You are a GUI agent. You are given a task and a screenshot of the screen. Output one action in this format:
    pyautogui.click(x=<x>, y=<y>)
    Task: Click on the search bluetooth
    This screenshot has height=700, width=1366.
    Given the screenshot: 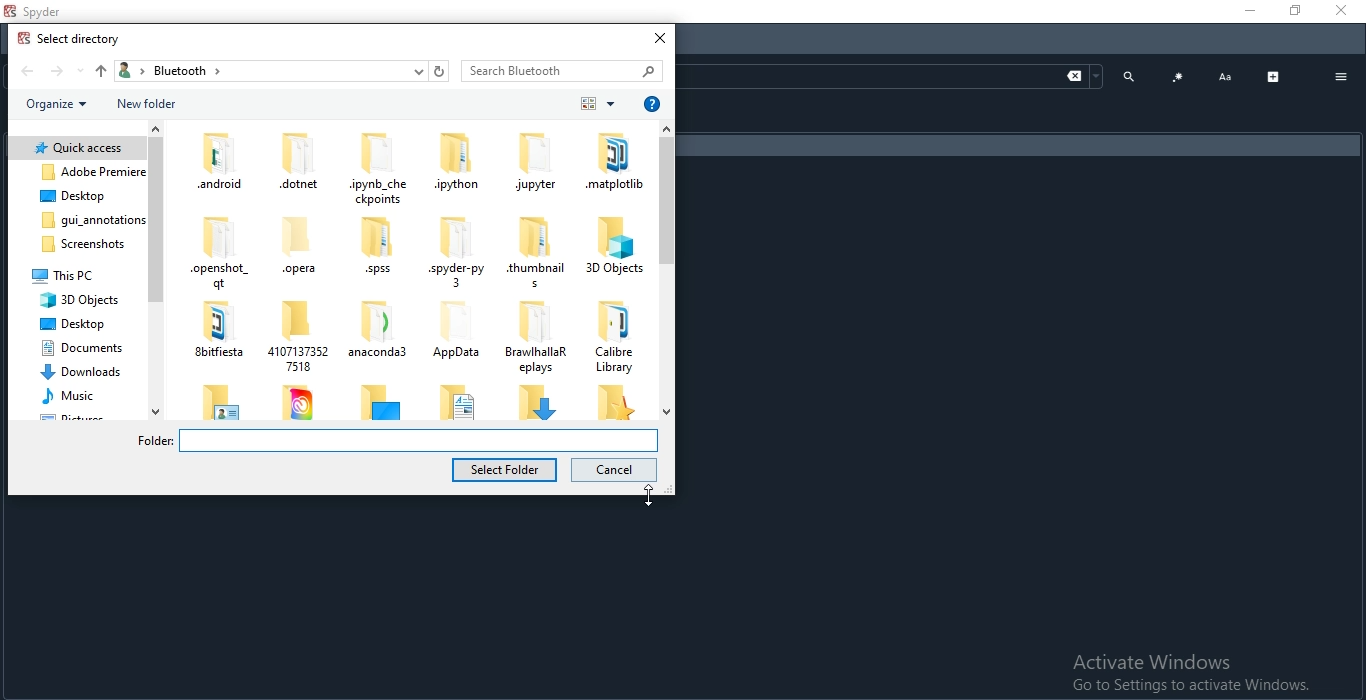 What is the action you would take?
    pyautogui.click(x=565, y=71)
    